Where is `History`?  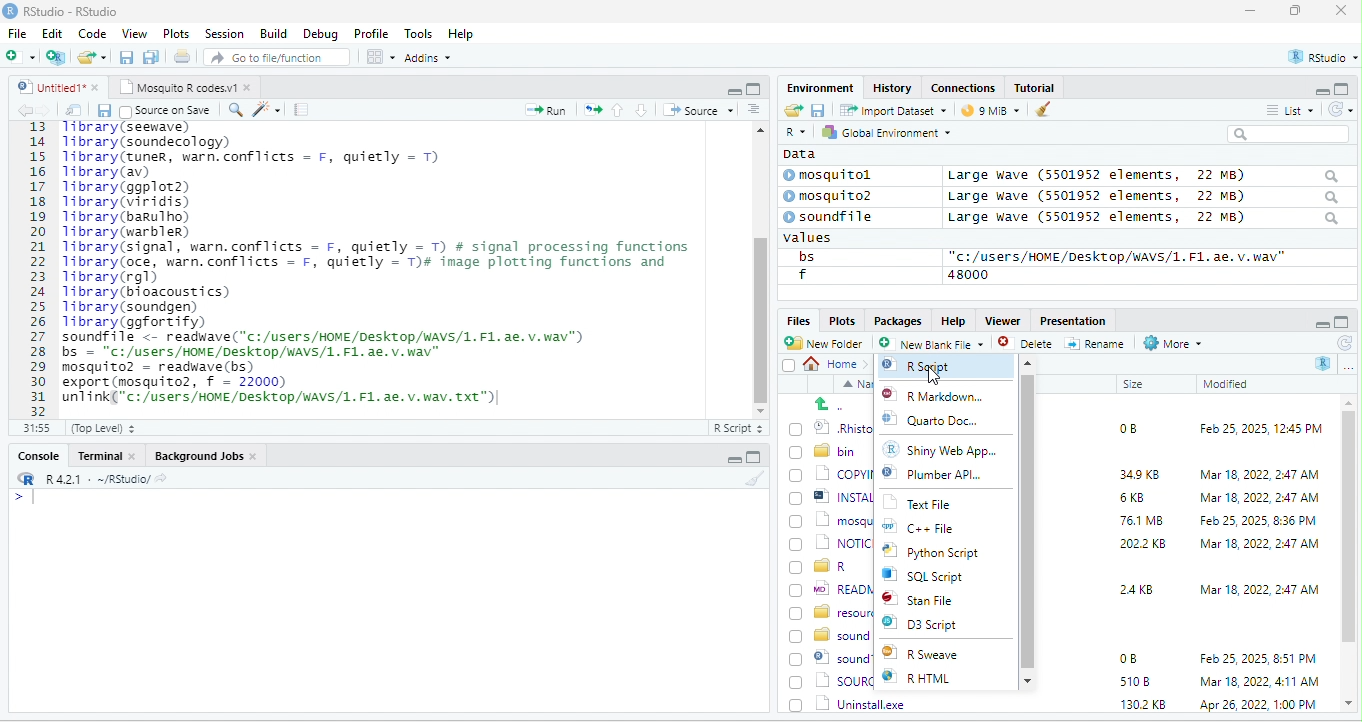
History is located at coordinates (893, 87).